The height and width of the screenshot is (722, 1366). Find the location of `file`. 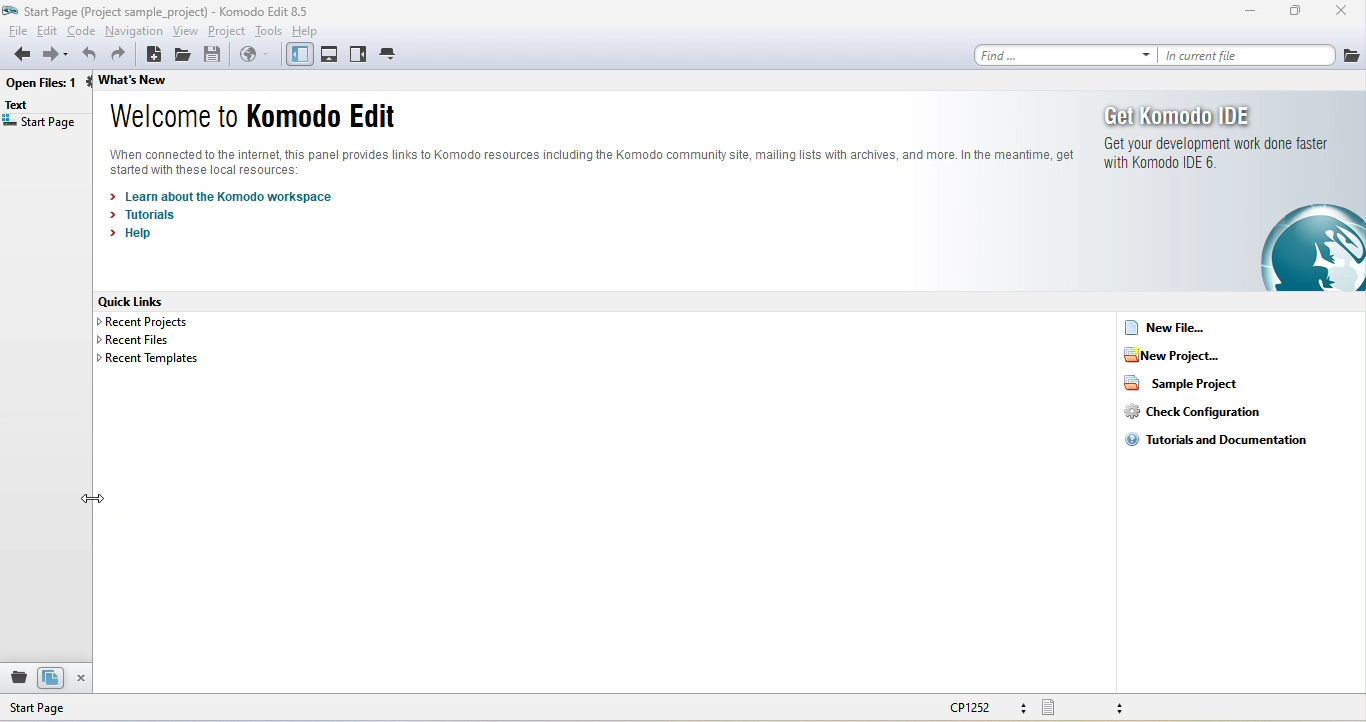

file is located at coordinates (1351, 54).